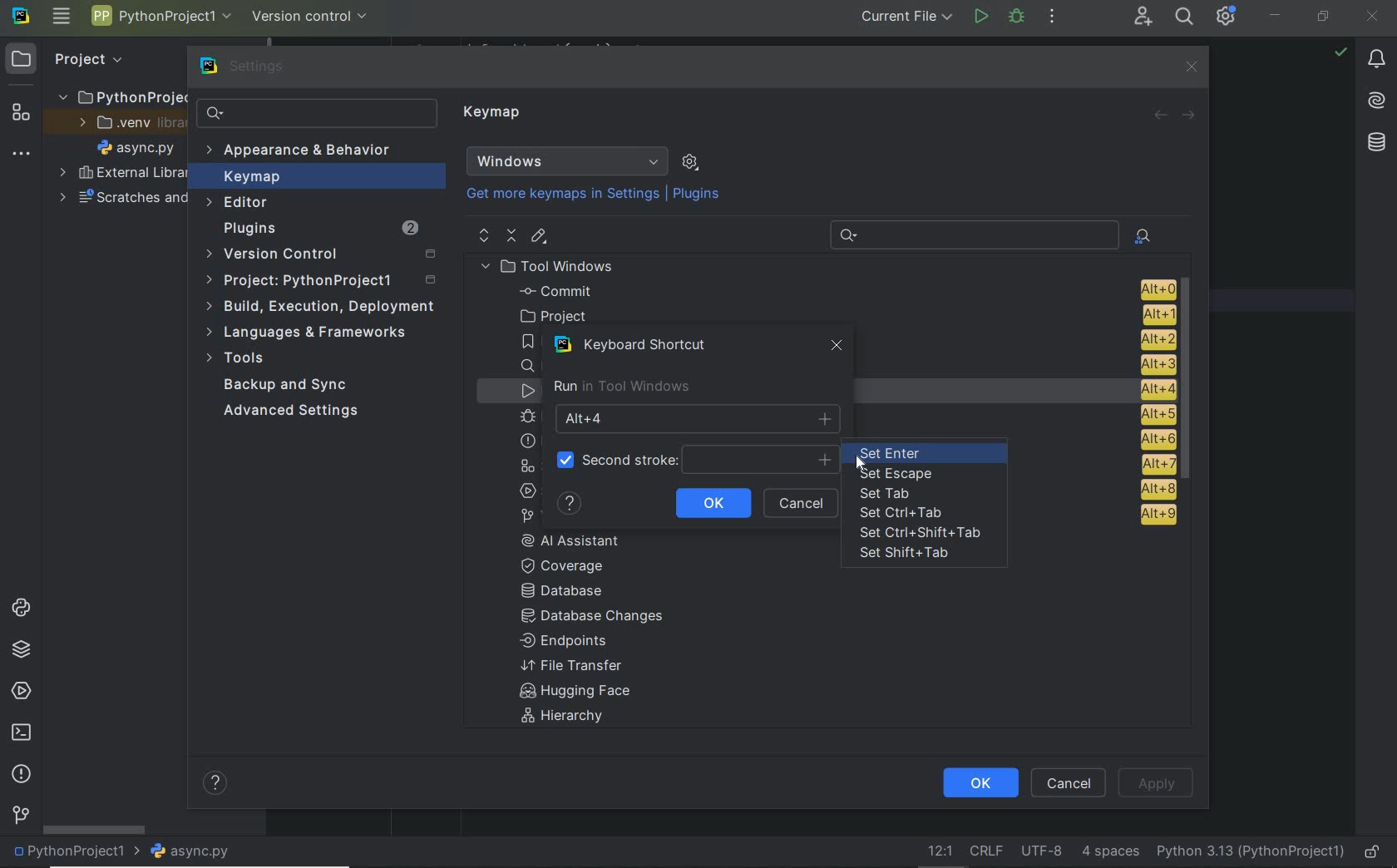  Describe the element at coordinates (482, 235) in the screenshot. I see `expand all` at that location.